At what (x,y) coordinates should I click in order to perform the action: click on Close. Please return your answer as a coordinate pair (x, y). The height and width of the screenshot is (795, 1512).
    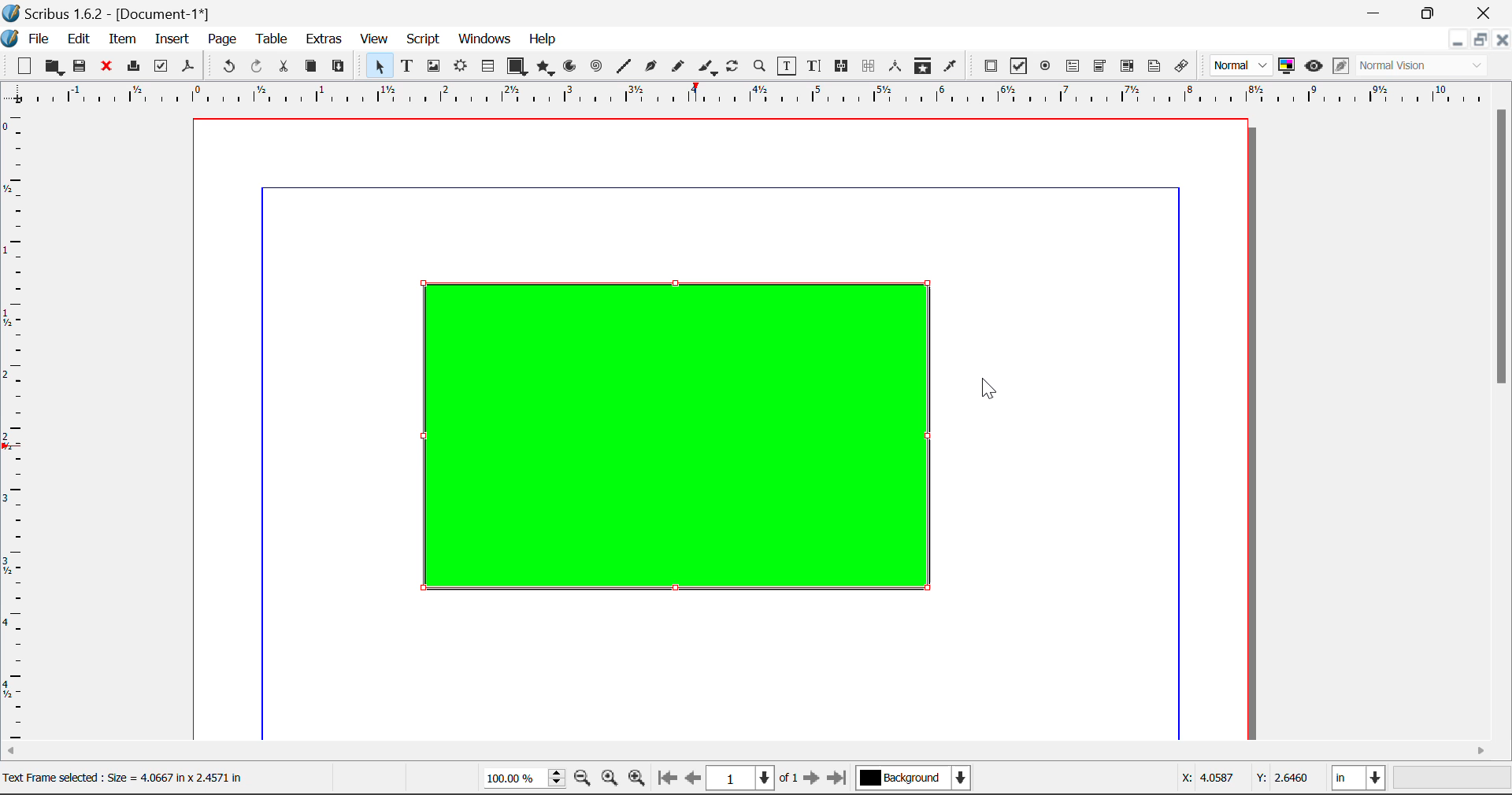
    Looking at the image, I should click on (1485, 13).